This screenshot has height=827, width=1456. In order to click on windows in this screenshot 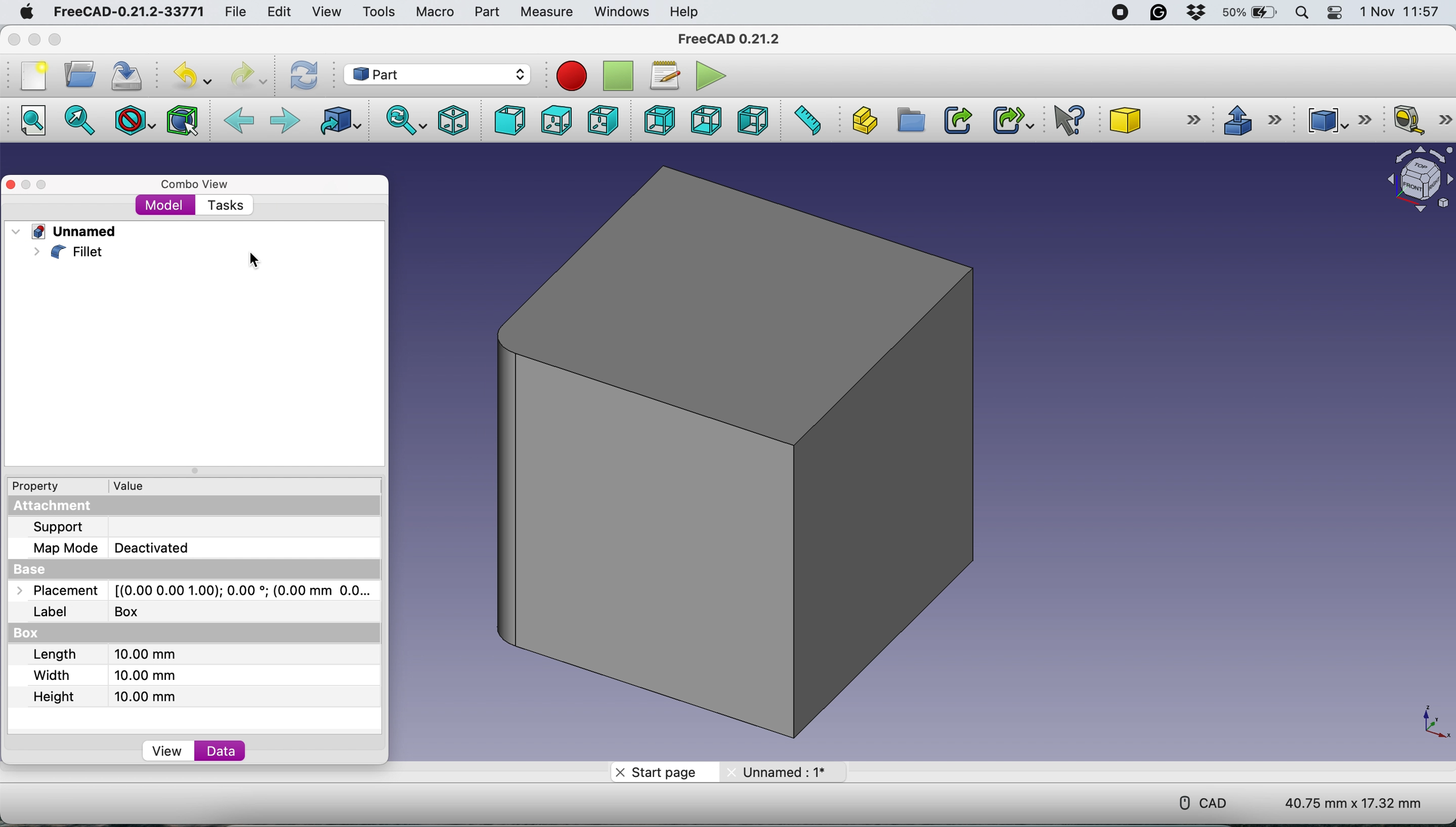, I will do `click(620, 11)`.